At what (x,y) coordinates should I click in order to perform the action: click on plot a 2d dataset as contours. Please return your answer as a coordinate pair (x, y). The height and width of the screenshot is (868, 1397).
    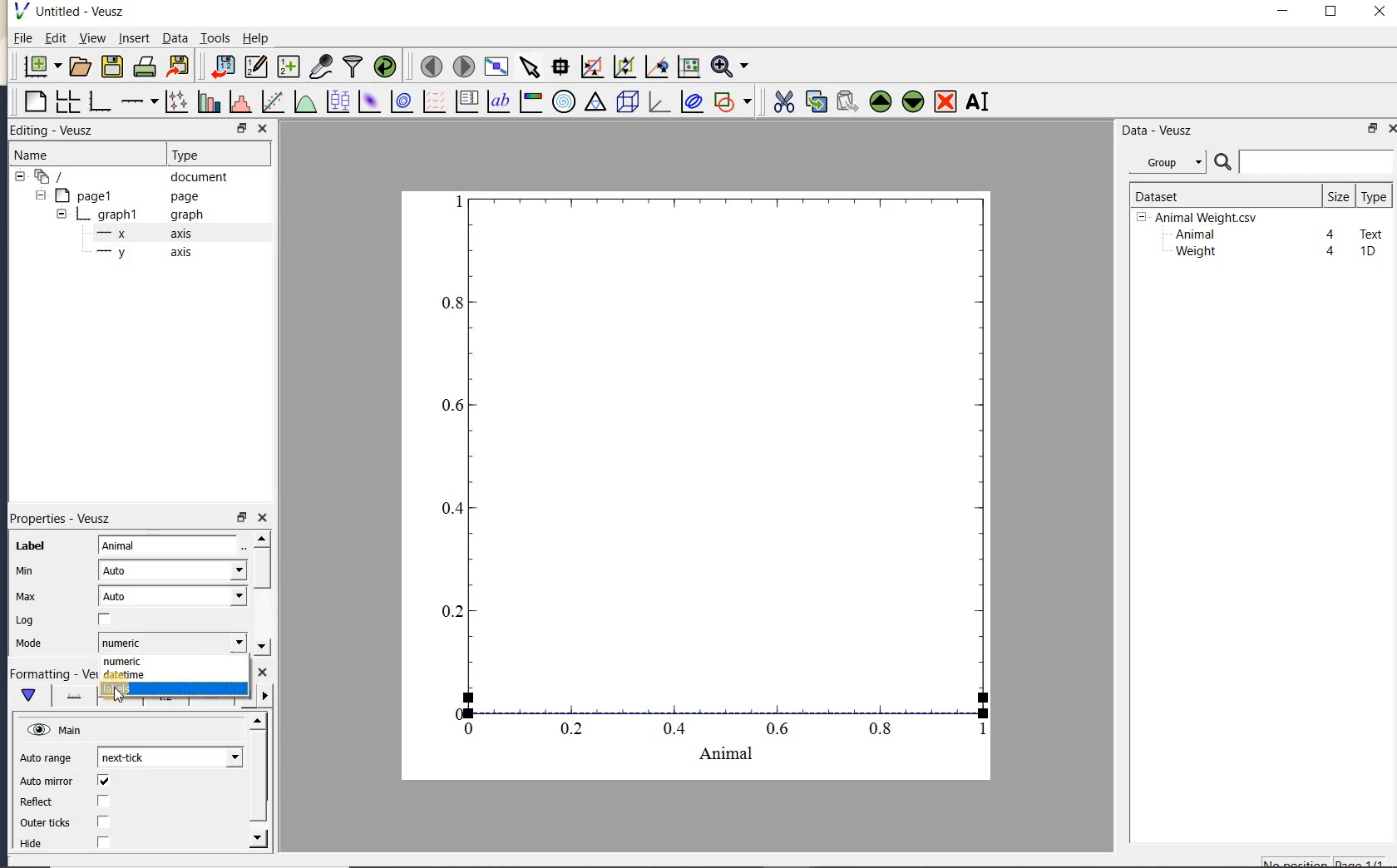
    Looking at the image, I should click on (400, 101).